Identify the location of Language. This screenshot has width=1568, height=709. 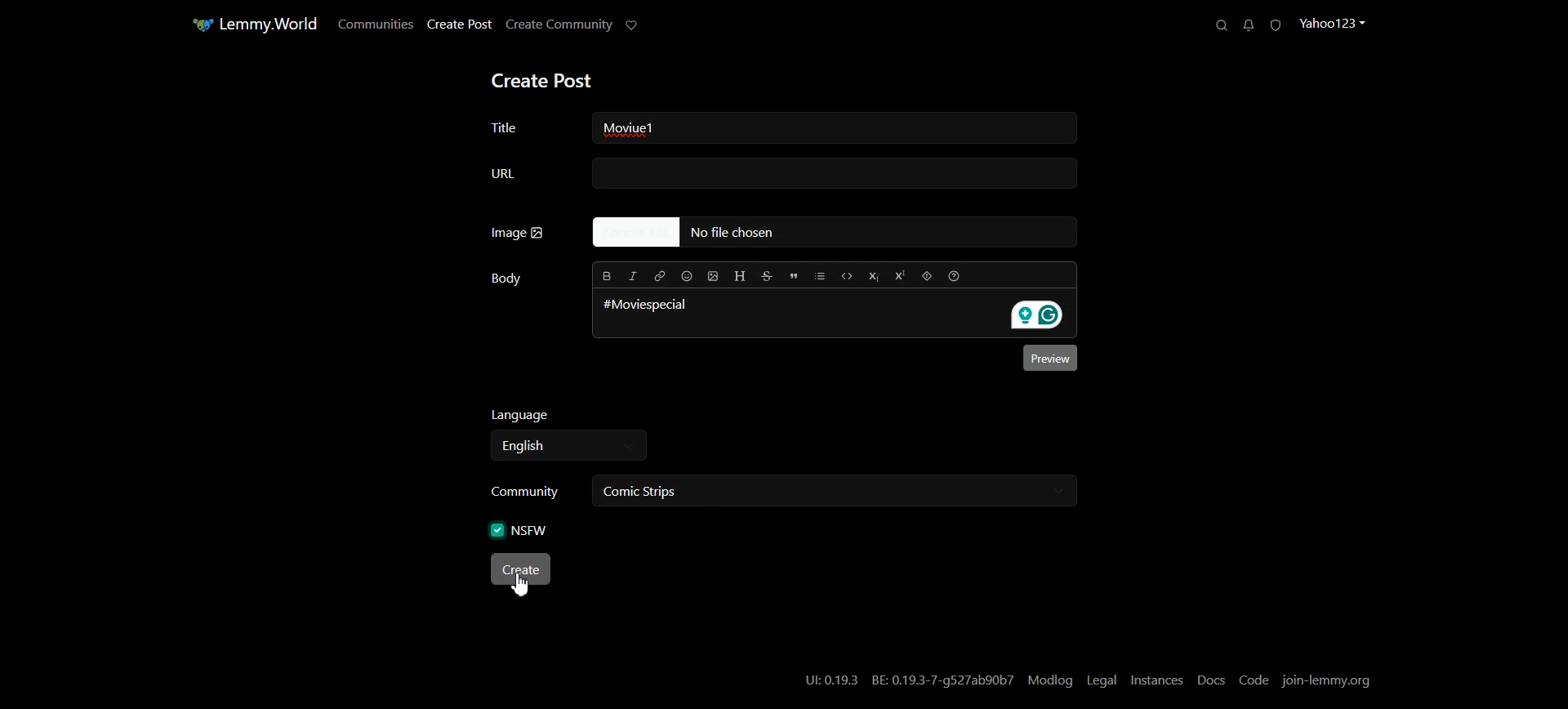
(566, 416).